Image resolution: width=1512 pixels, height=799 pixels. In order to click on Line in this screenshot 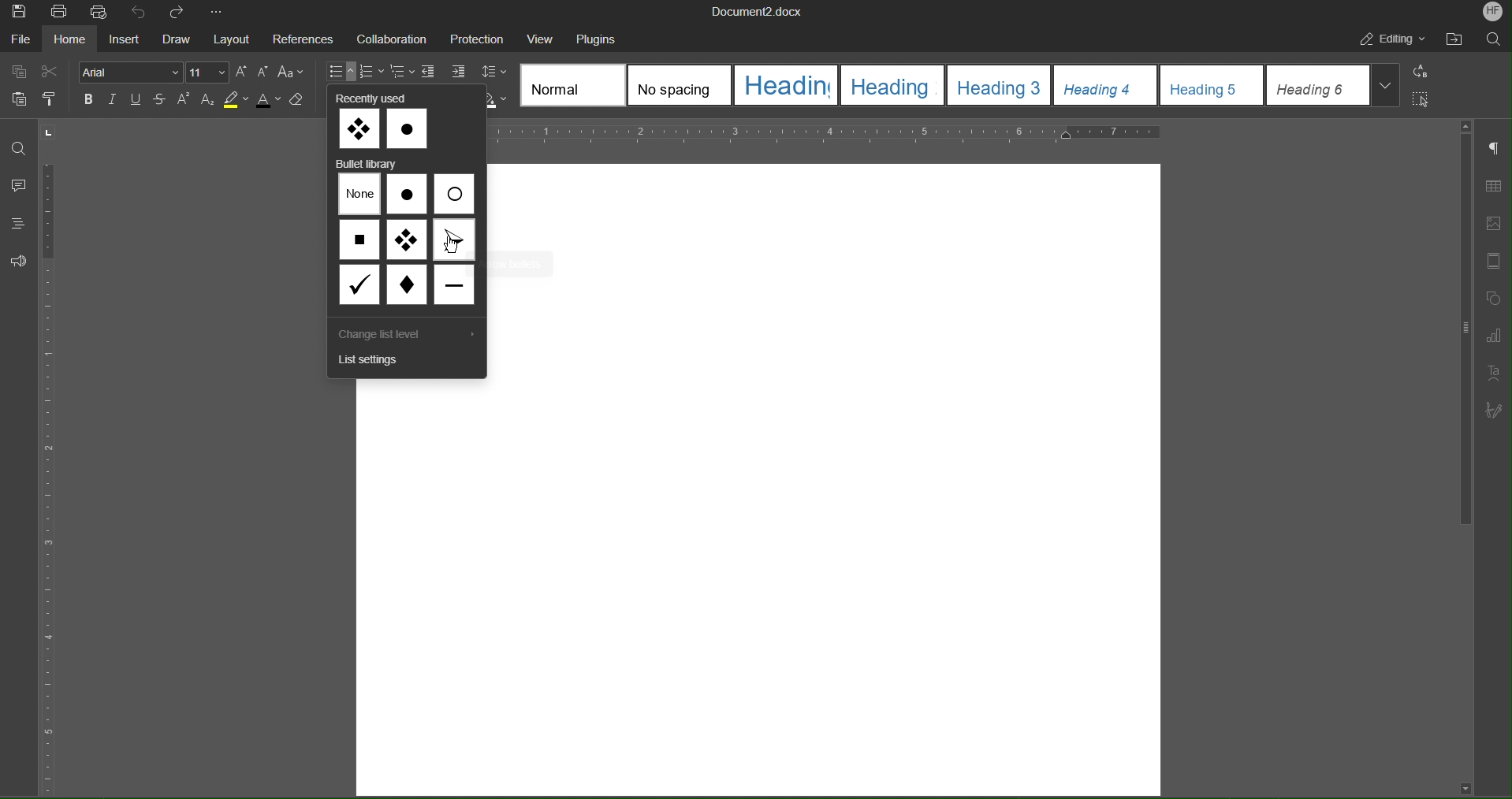, I will do `click(454, 284)`.